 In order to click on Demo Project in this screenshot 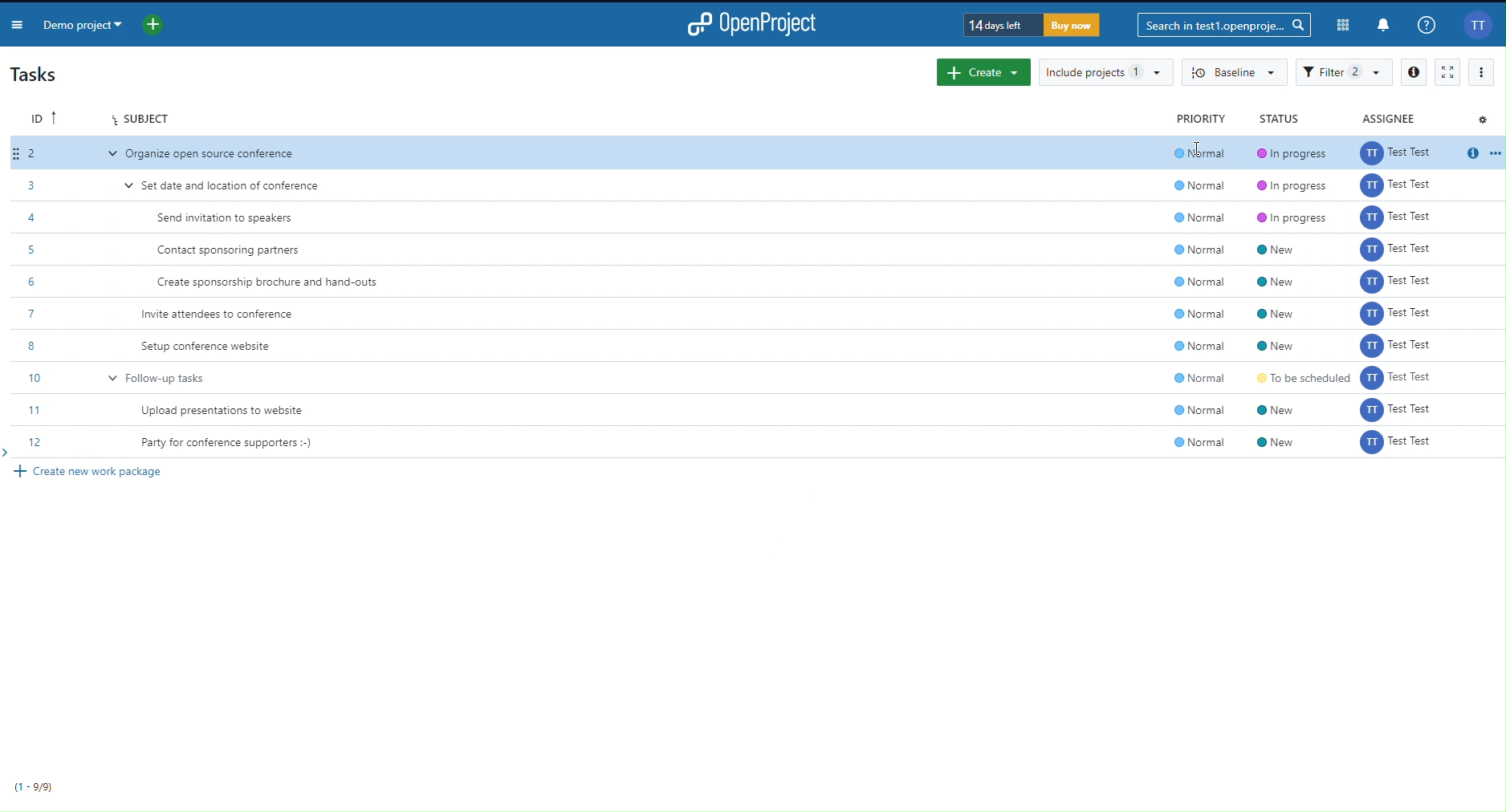, I will do `click(83, 23)`.